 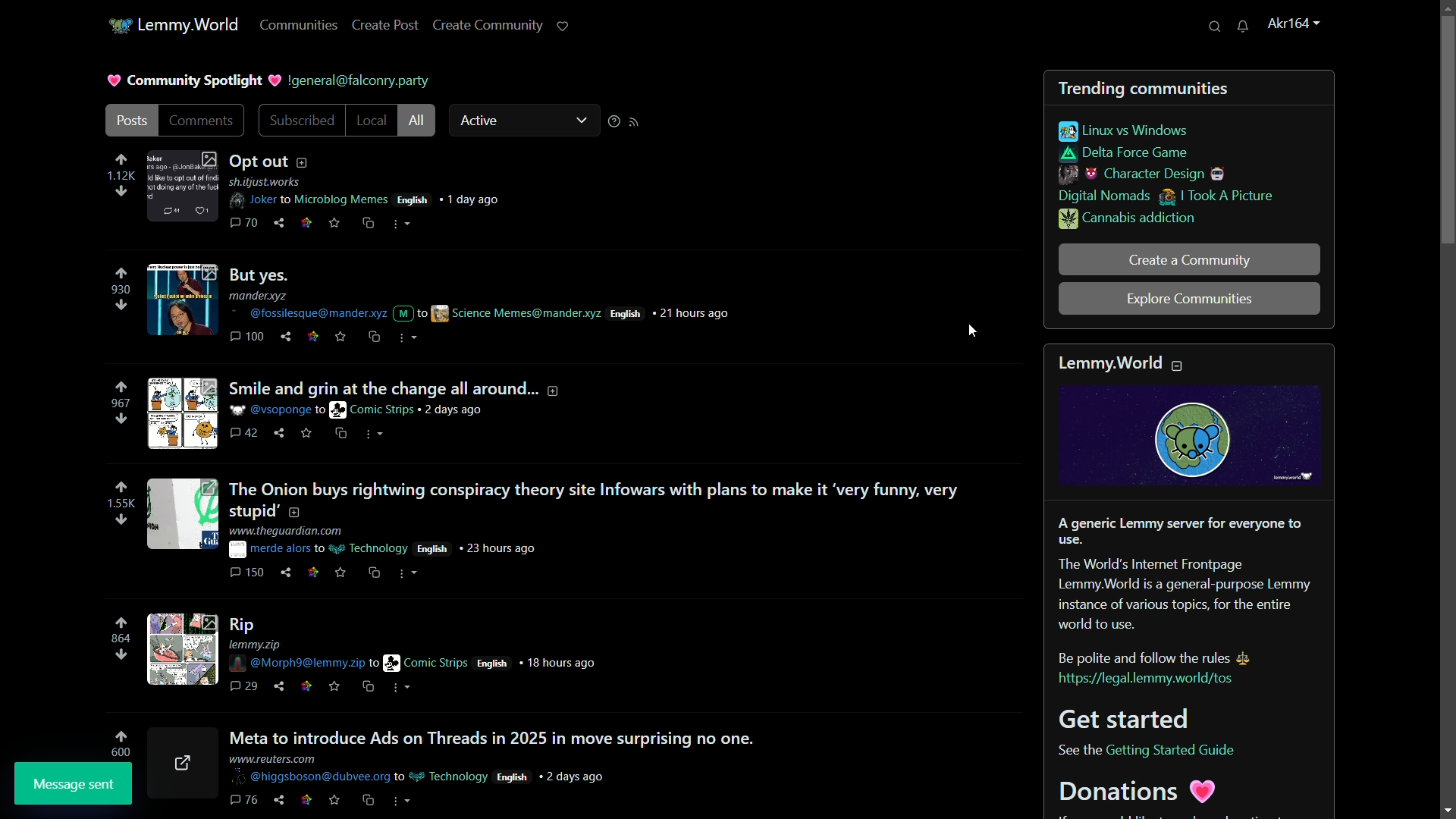 I want to click on downvote, so click(x=121, y=306).